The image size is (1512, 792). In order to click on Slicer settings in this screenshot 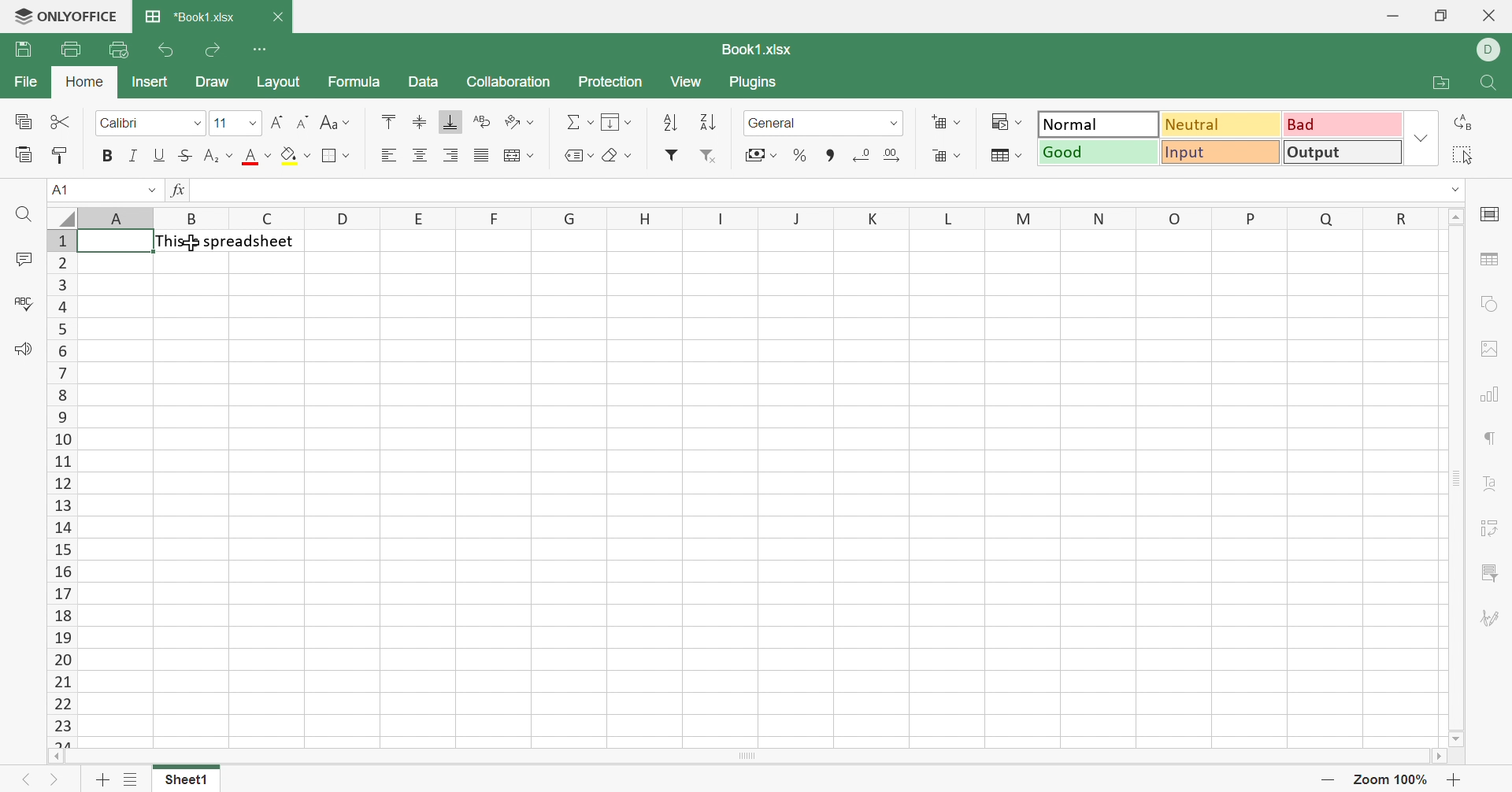, I will do `click(1491, 572)`.